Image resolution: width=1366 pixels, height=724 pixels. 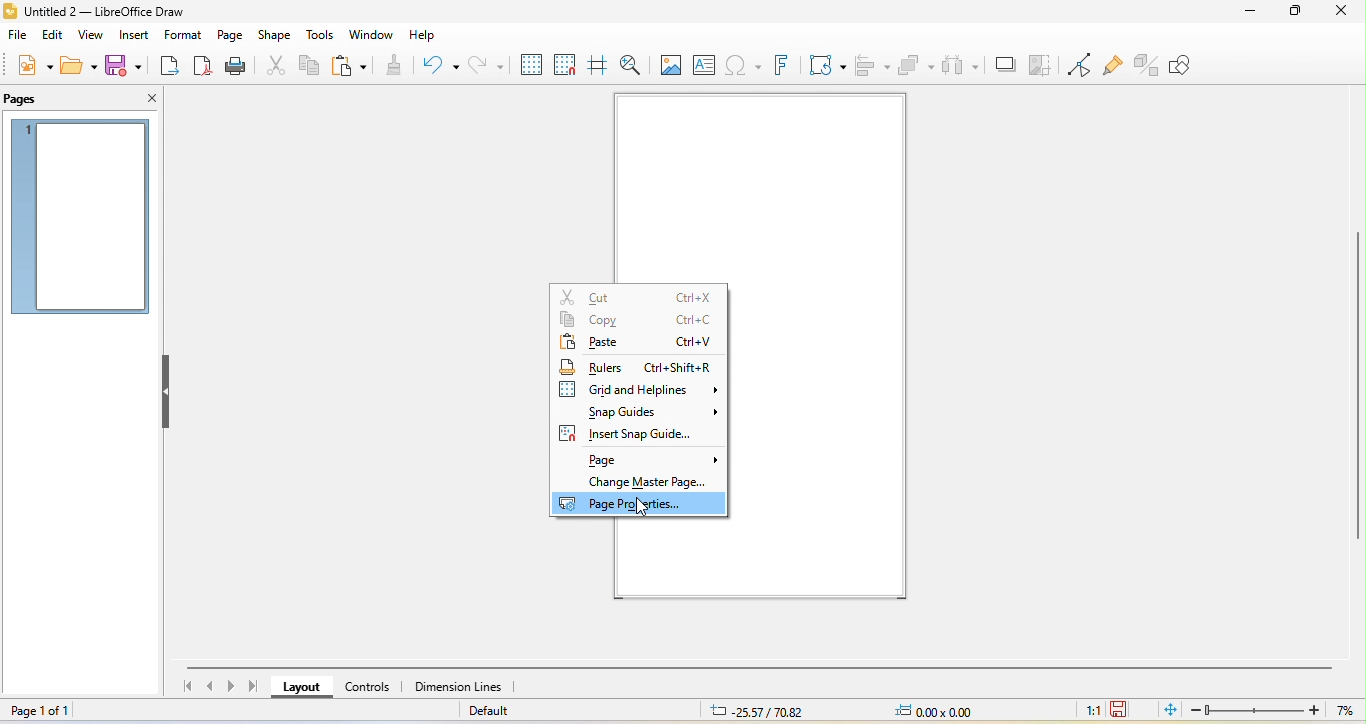 I want to click on 1:1, so click(x=1089, y=709).